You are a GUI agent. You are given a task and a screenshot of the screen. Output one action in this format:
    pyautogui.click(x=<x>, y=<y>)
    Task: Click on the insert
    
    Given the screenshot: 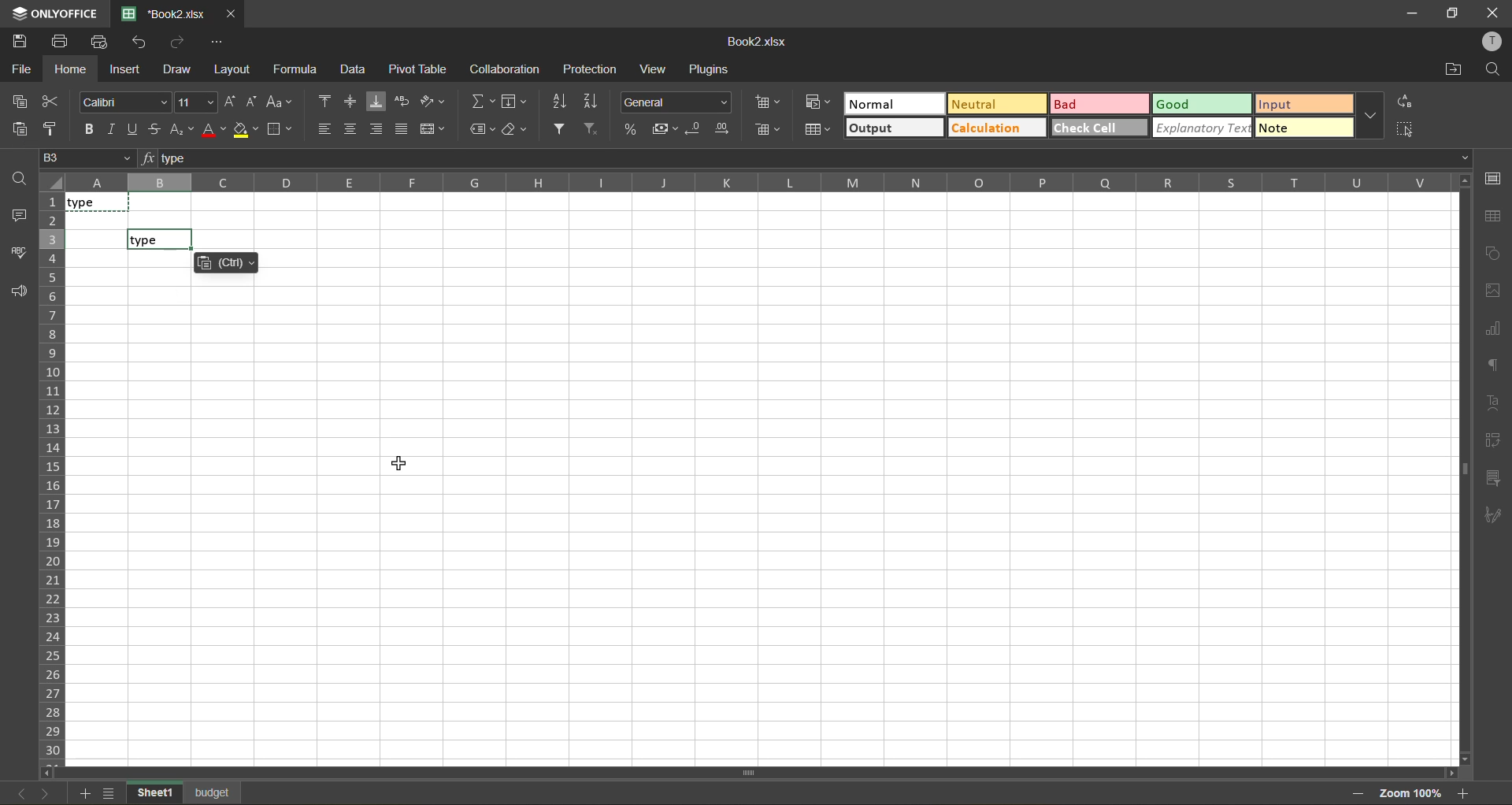 What is the action you would take?
    pyautogui.click(x=127, y=72)
    